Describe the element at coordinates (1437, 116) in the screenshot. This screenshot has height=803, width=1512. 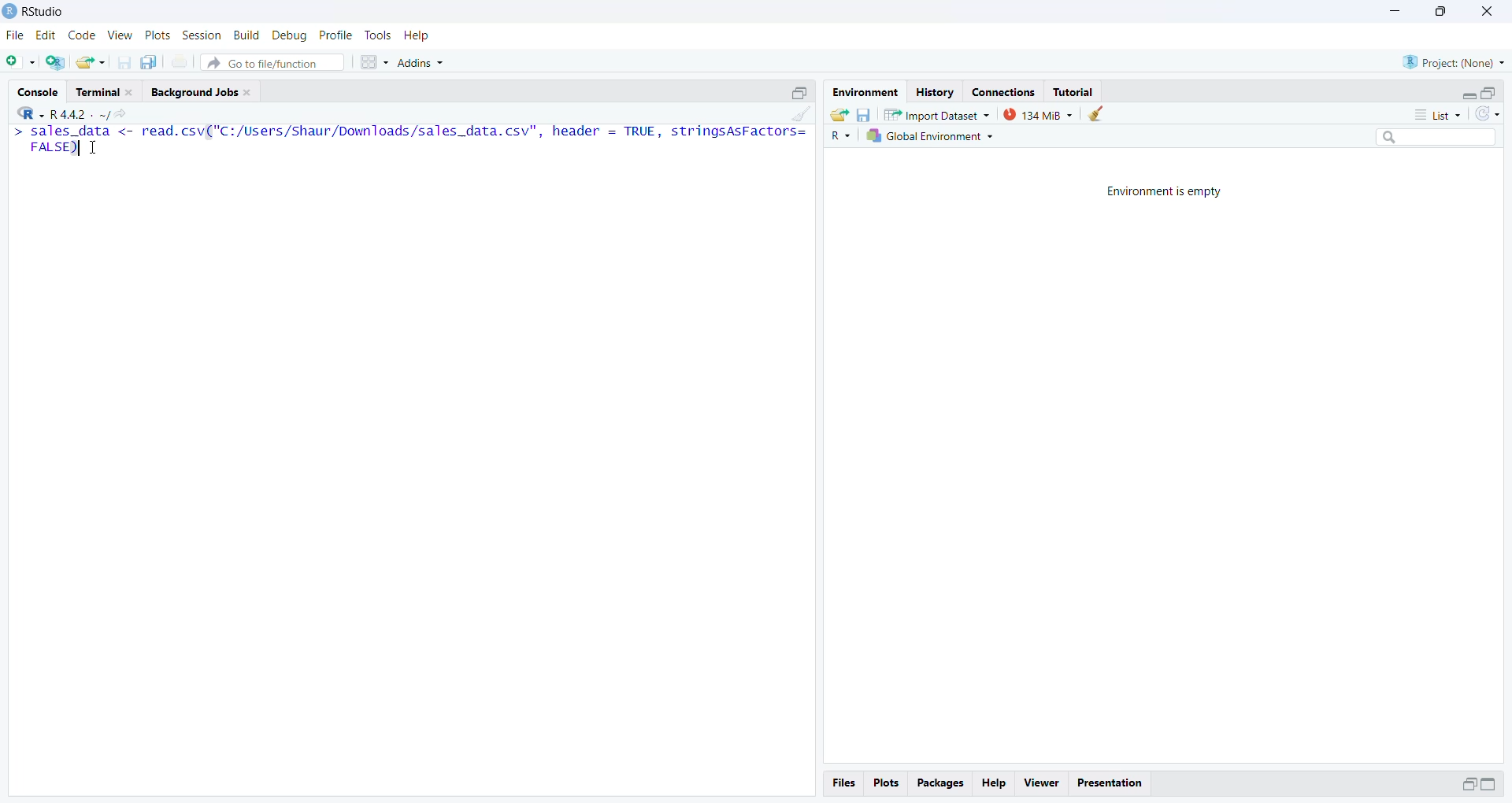
I see `List` at that location.